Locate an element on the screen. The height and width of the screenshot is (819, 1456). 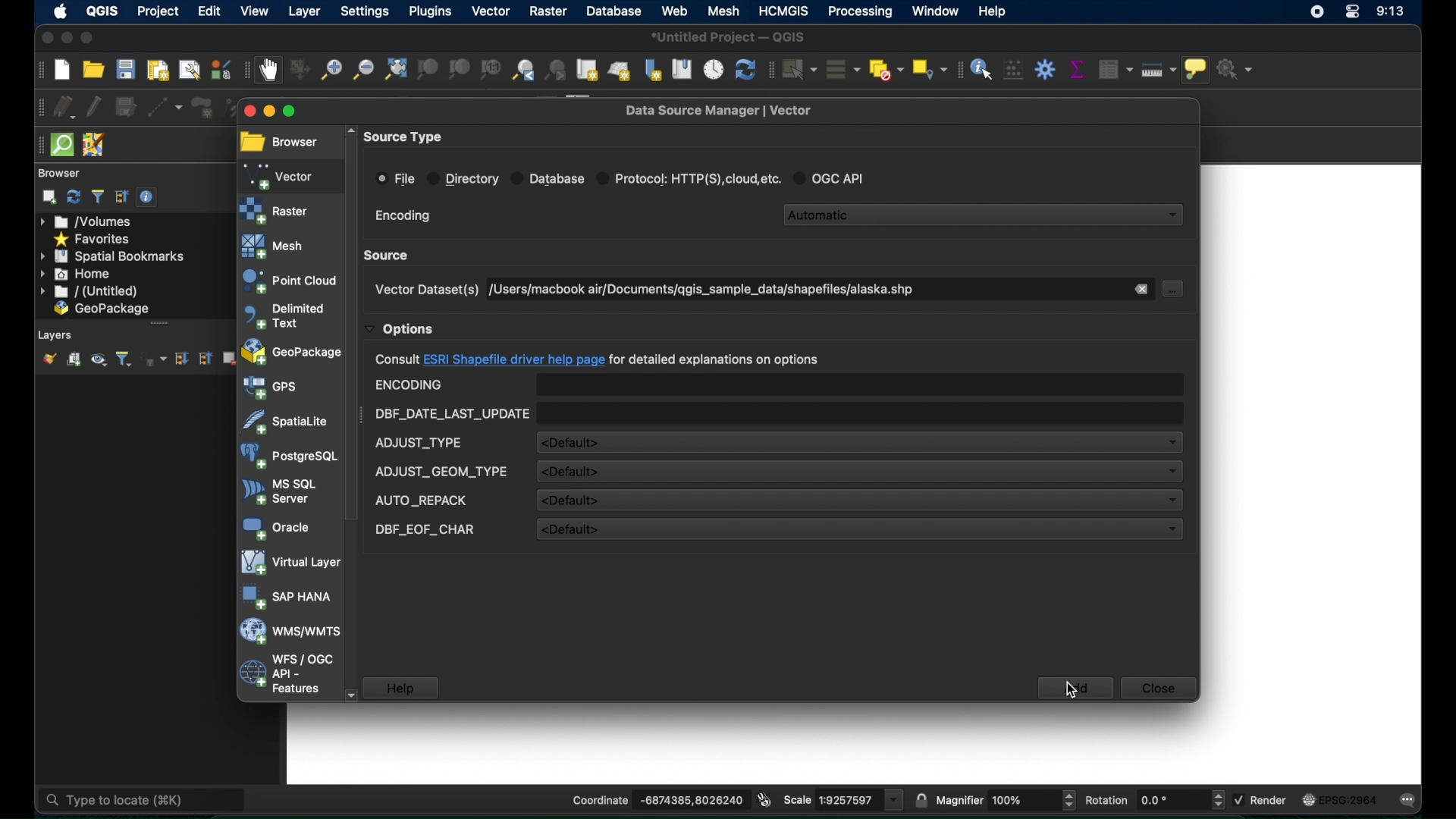
wfs/ogc api - features is located at coordinates (286, 674).